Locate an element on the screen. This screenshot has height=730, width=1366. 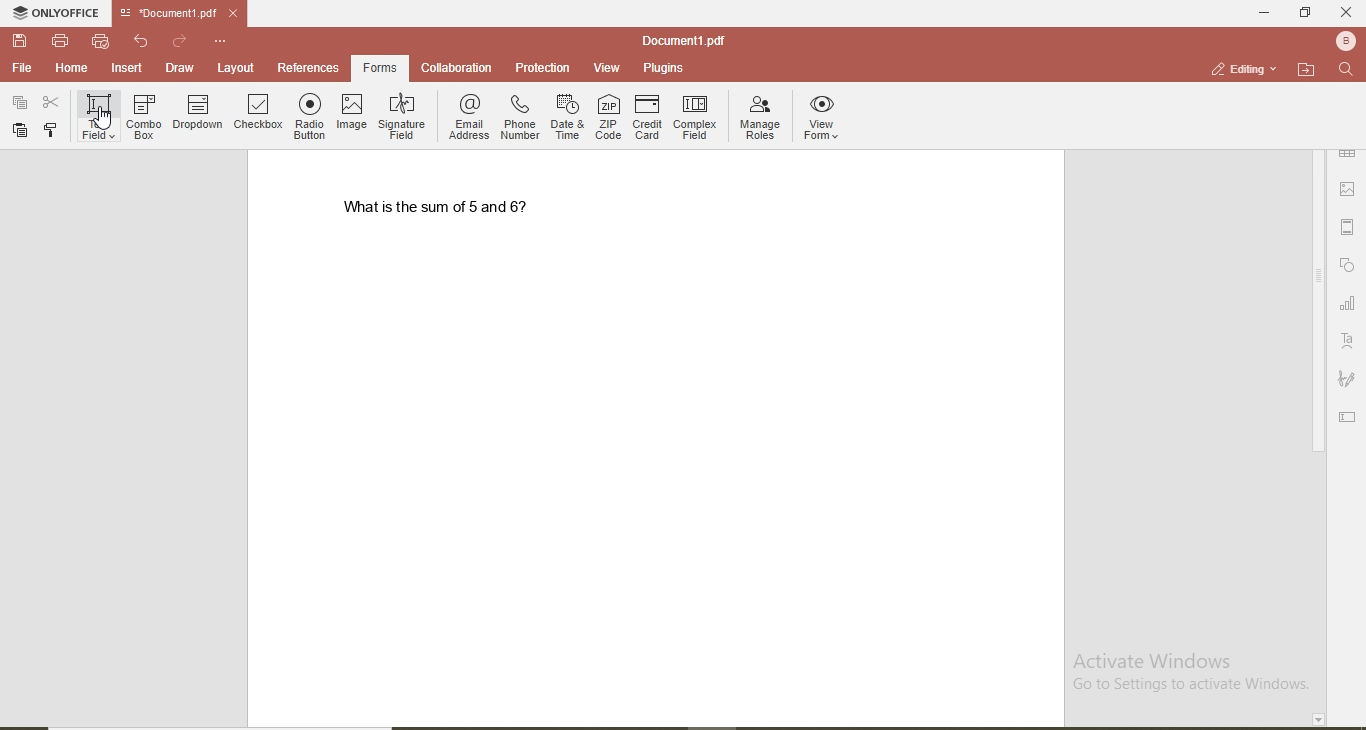
file name is located at coordinates (682, 37).